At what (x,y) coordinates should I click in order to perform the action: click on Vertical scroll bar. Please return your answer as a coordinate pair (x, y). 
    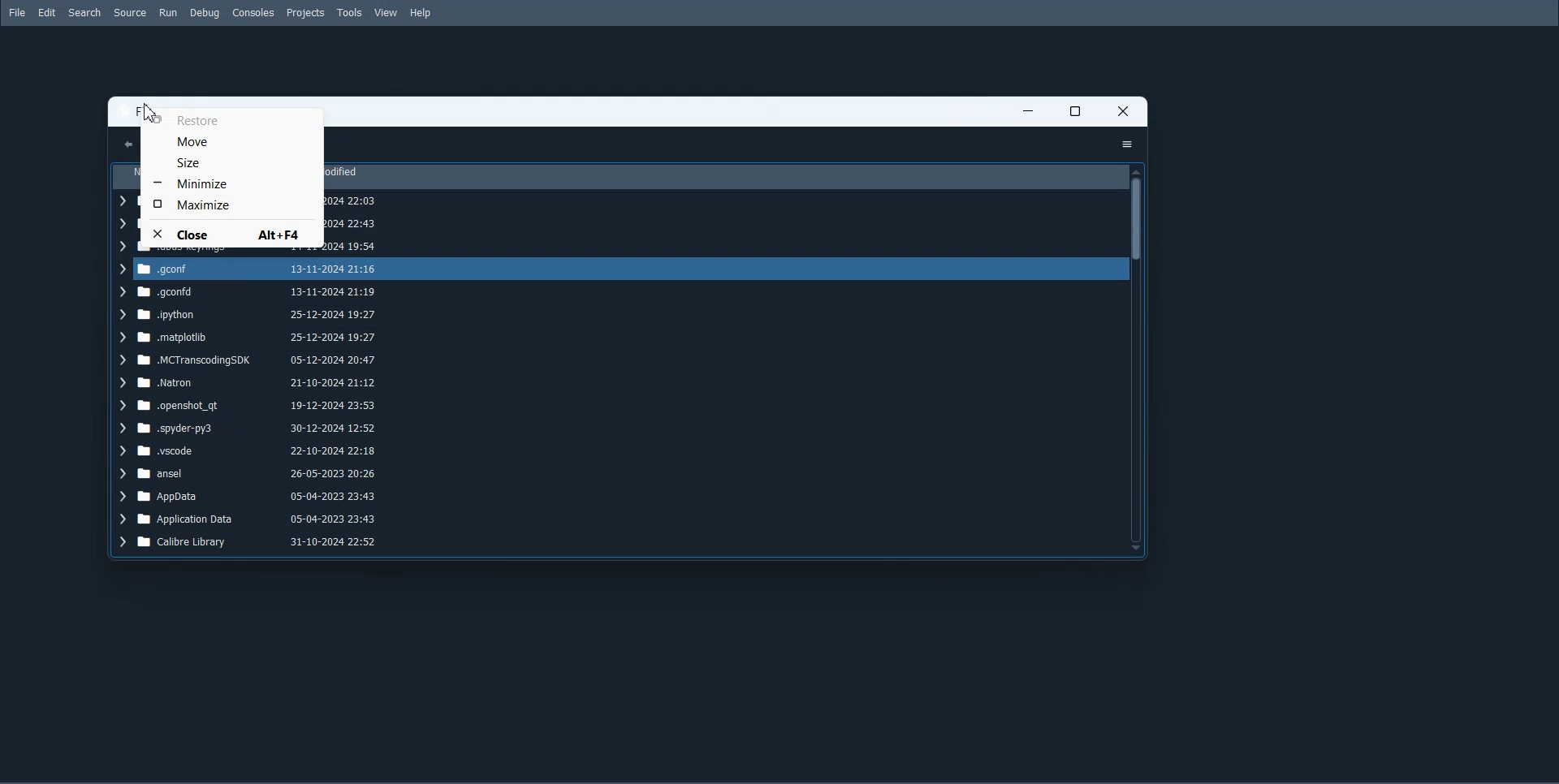
    Looking at the image, I should click on (1138, 358).